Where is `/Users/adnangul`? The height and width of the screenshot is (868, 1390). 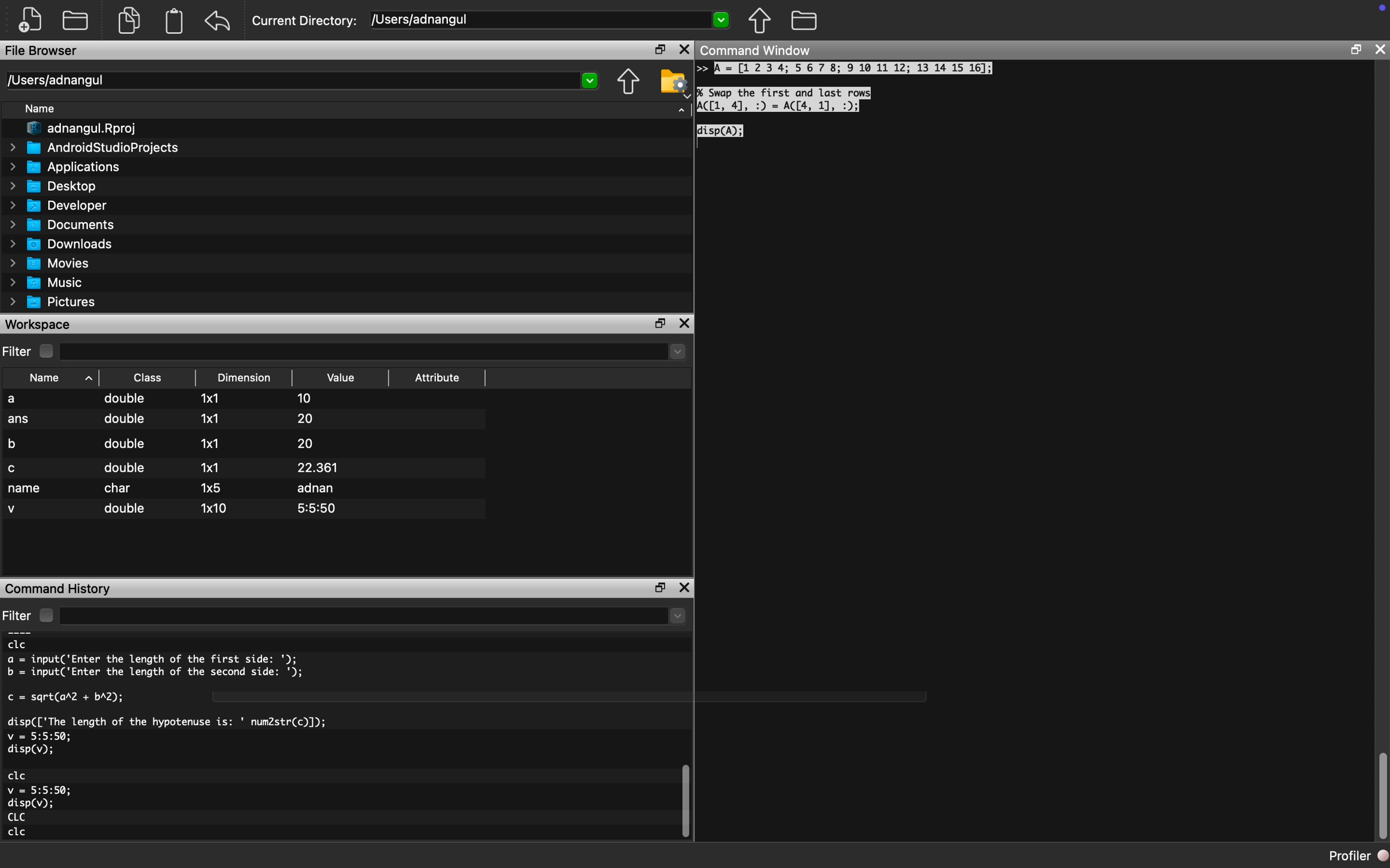 /Users/adnangul is located at coordinates (532, 19).